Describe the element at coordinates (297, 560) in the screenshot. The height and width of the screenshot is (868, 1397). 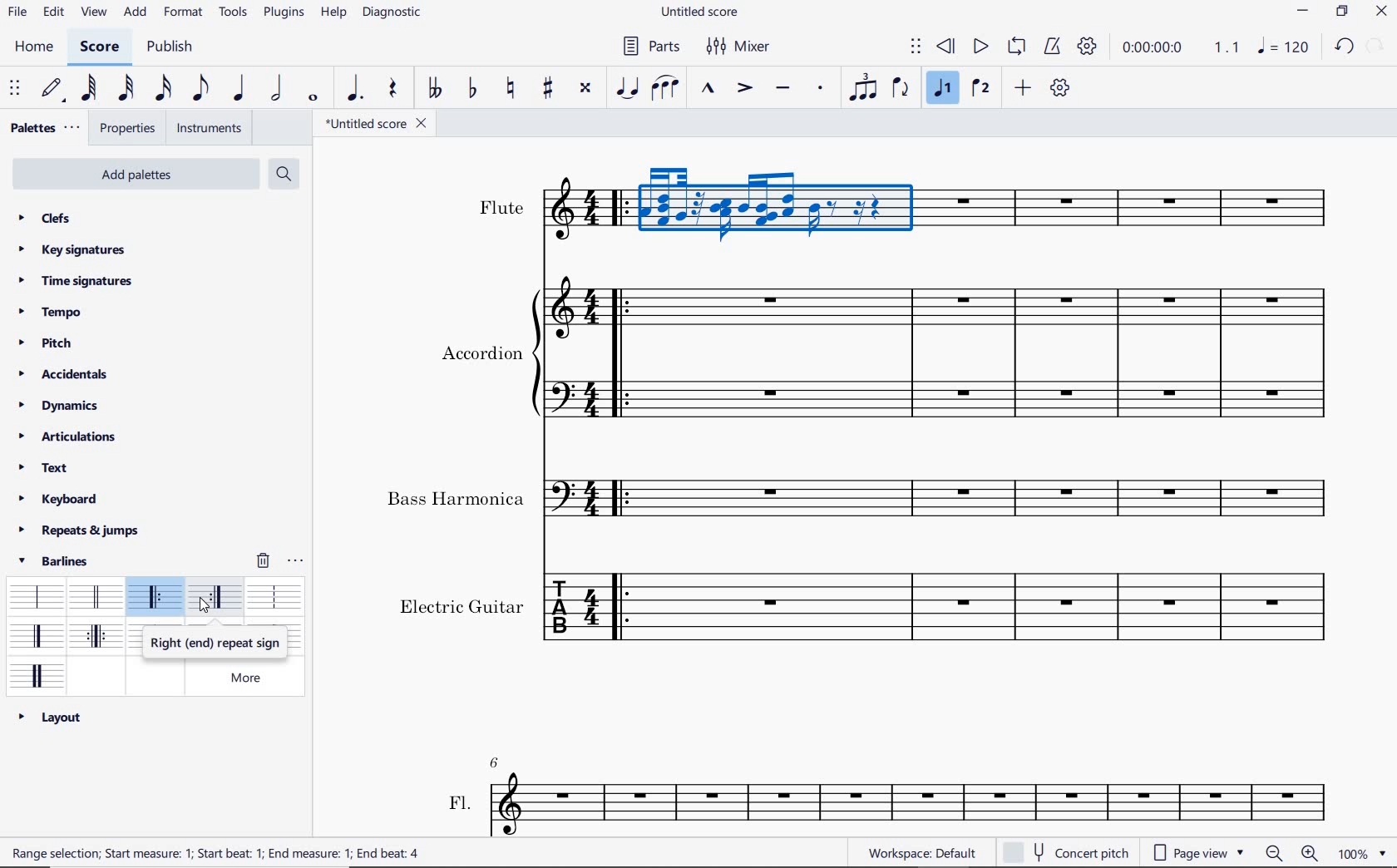
I see `options` at that location.